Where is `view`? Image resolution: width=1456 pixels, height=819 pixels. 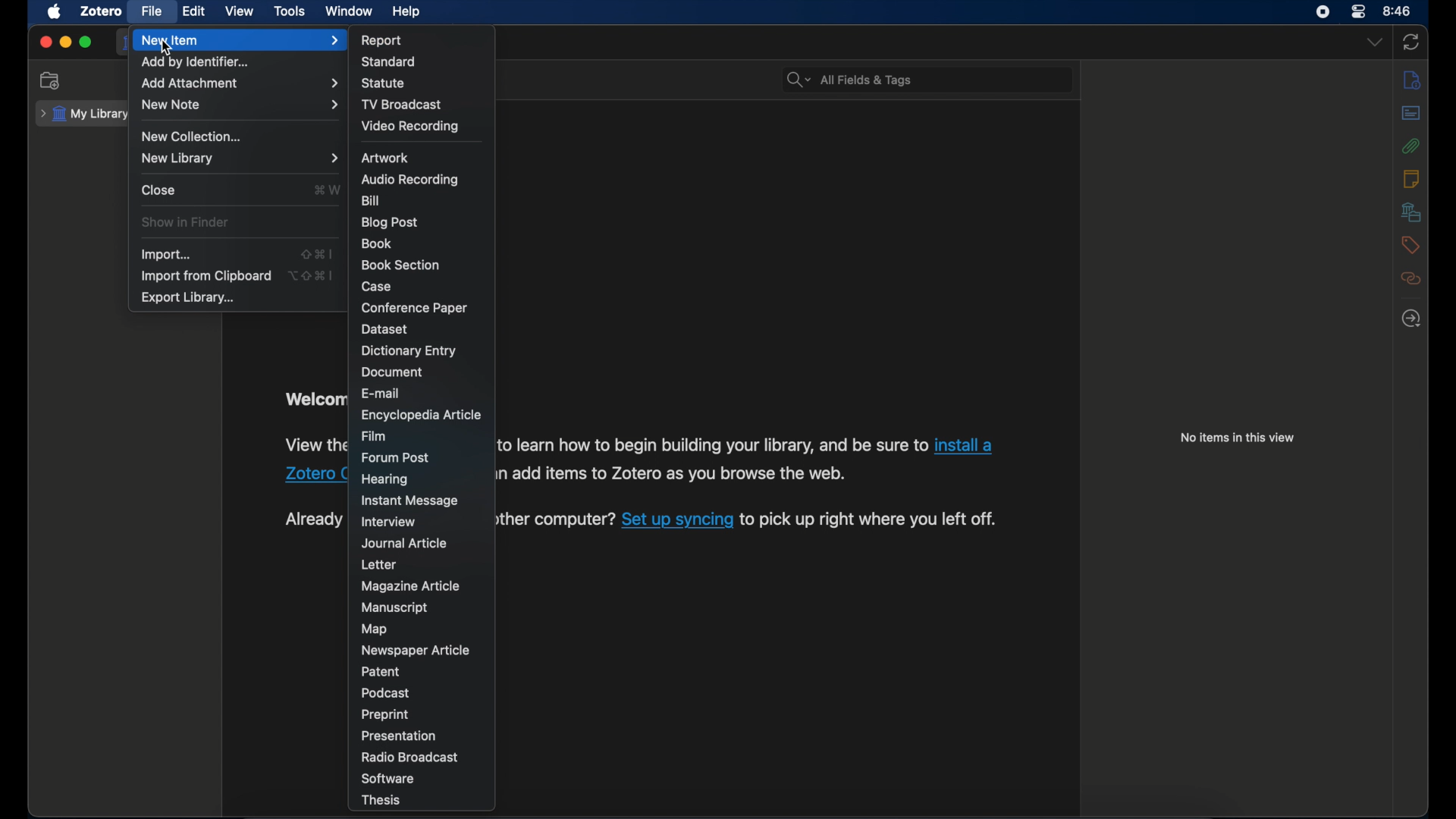
view is located at coordinates (240, 11).